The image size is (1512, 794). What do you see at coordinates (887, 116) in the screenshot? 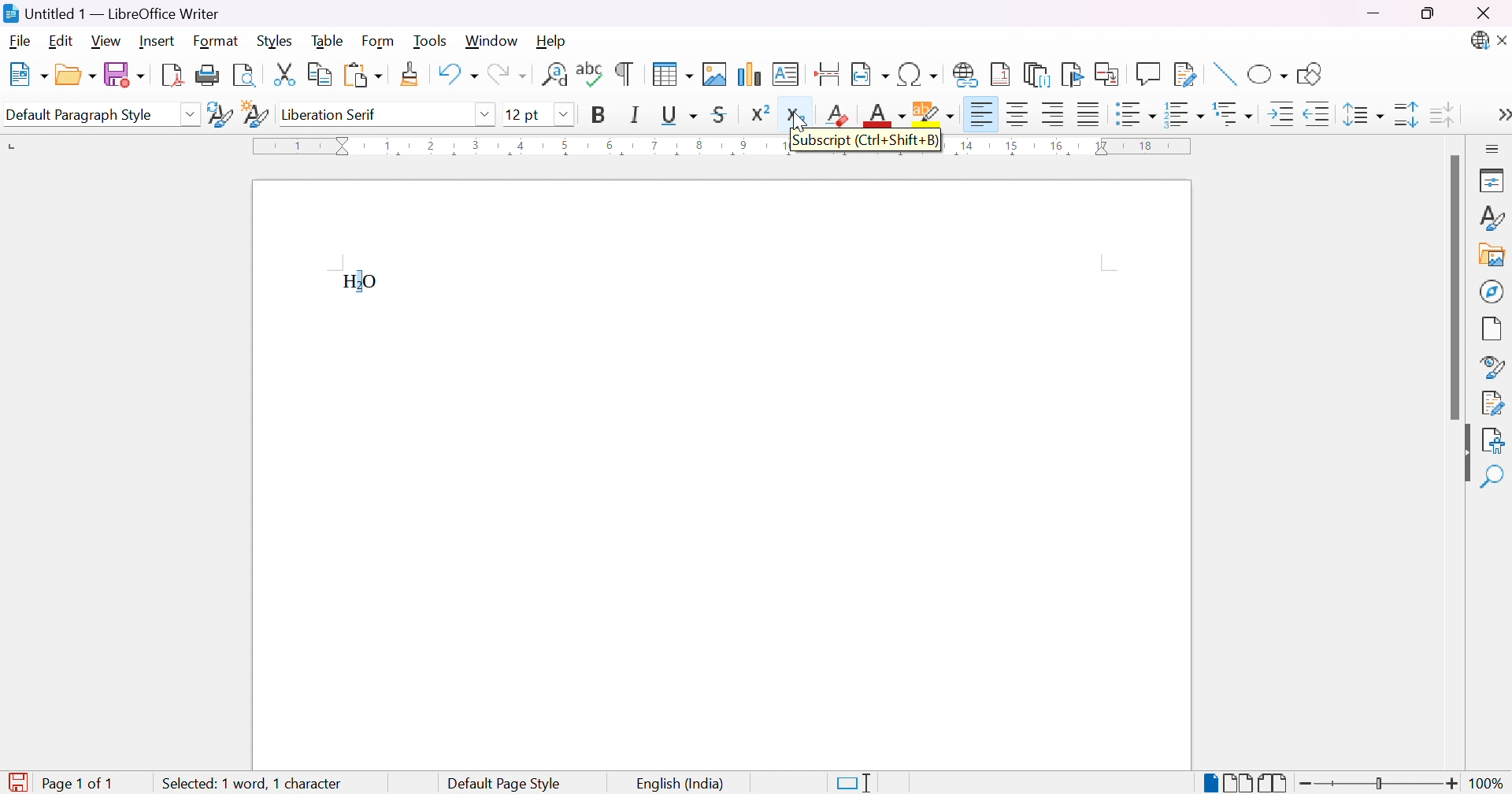
I see `Font color` at bounding box center [887, 116].